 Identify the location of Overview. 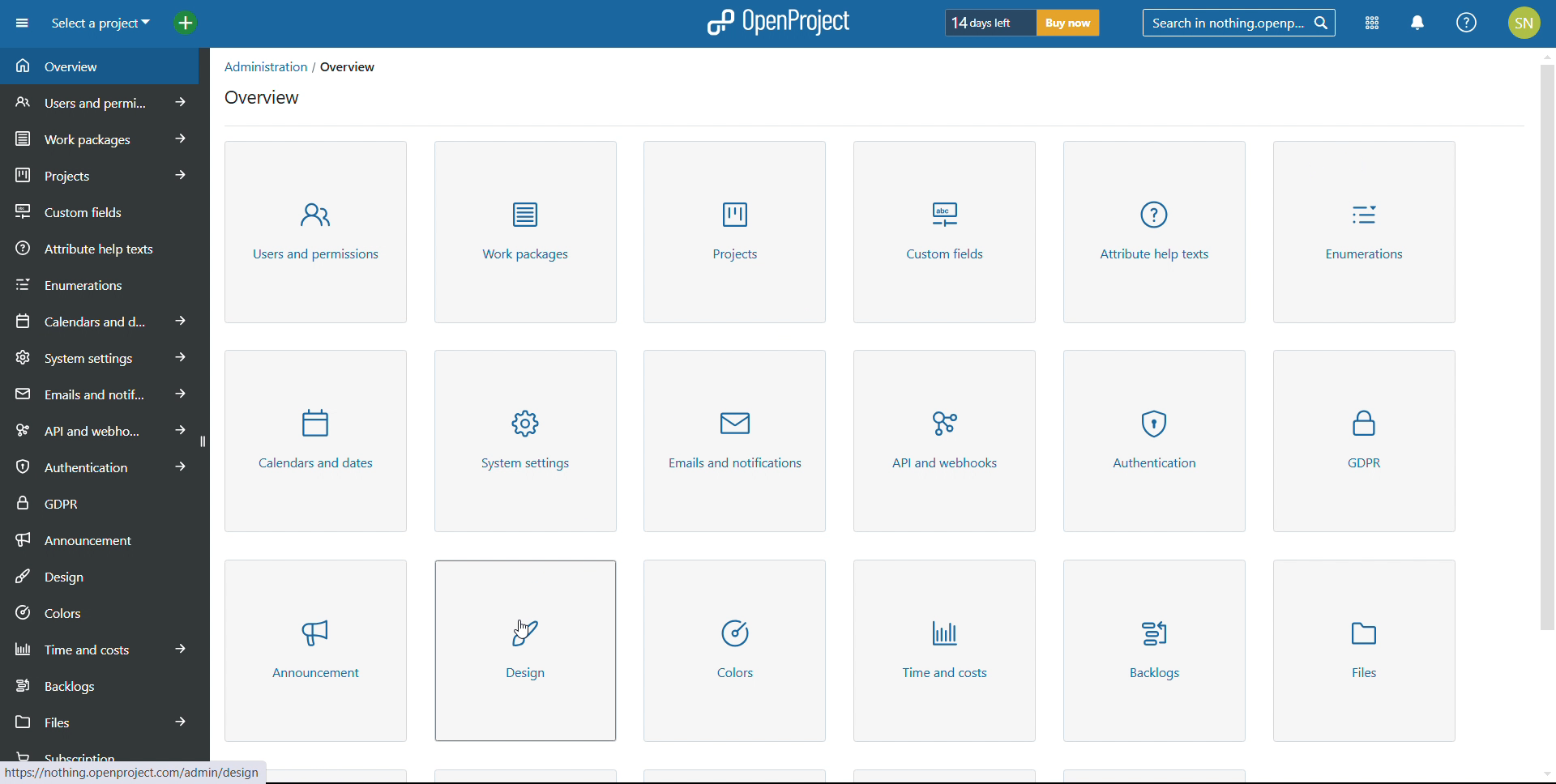
(366, 66).